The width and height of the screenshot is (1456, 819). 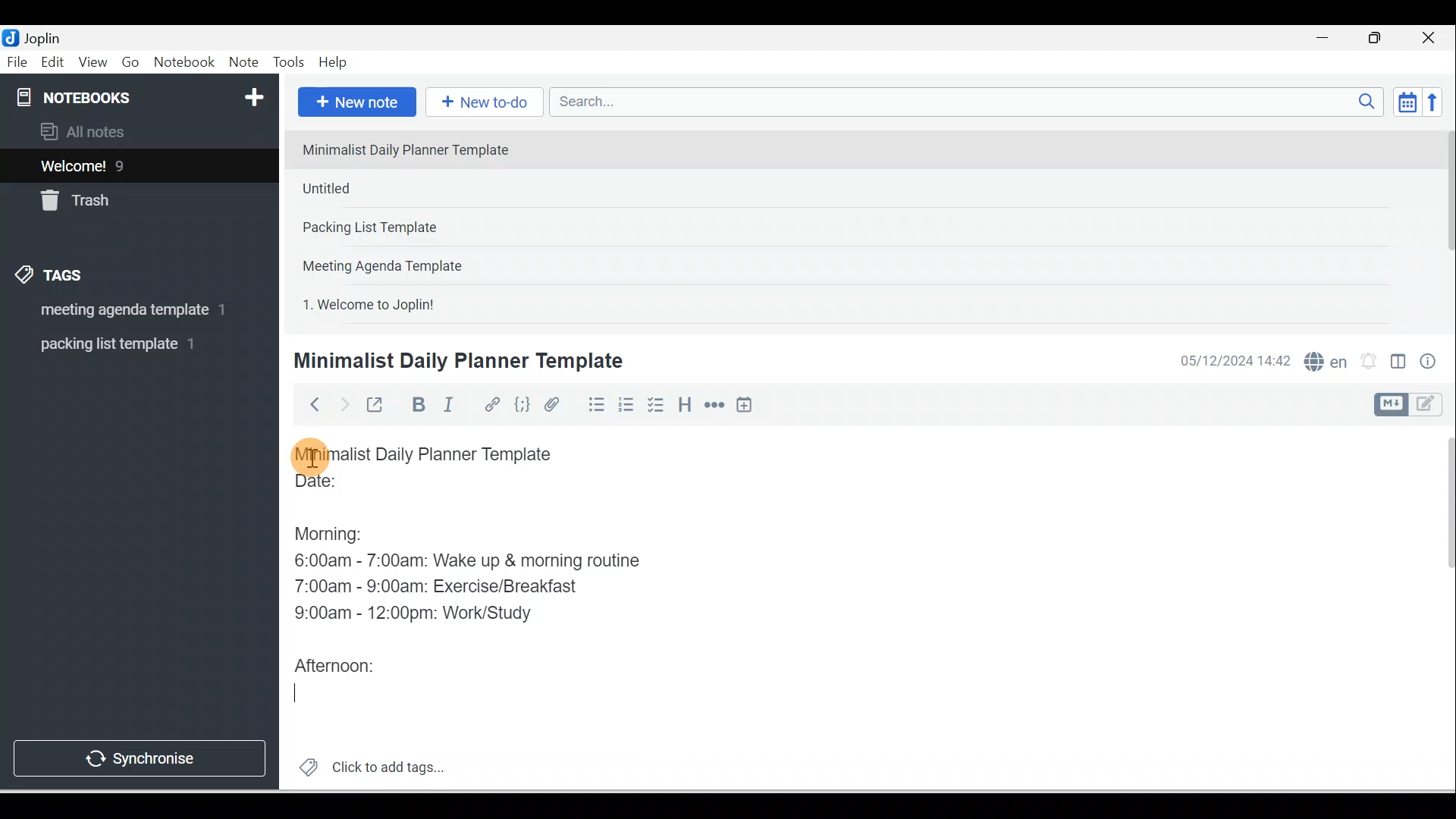 I want to click on Scroll bar, so click(x=1444, y=224).